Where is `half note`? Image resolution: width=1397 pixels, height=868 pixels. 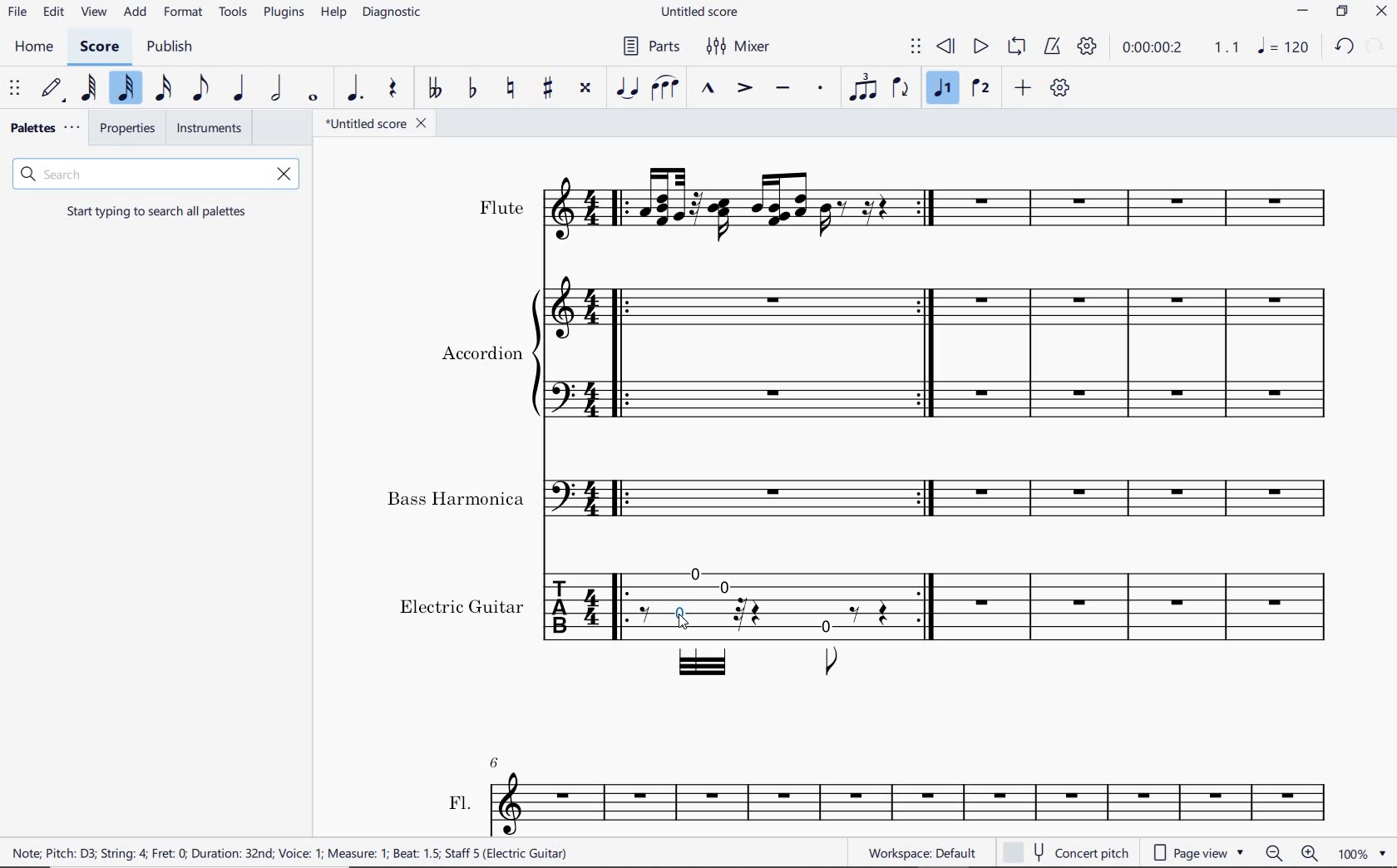
half note is located at coordinates (274, 88).